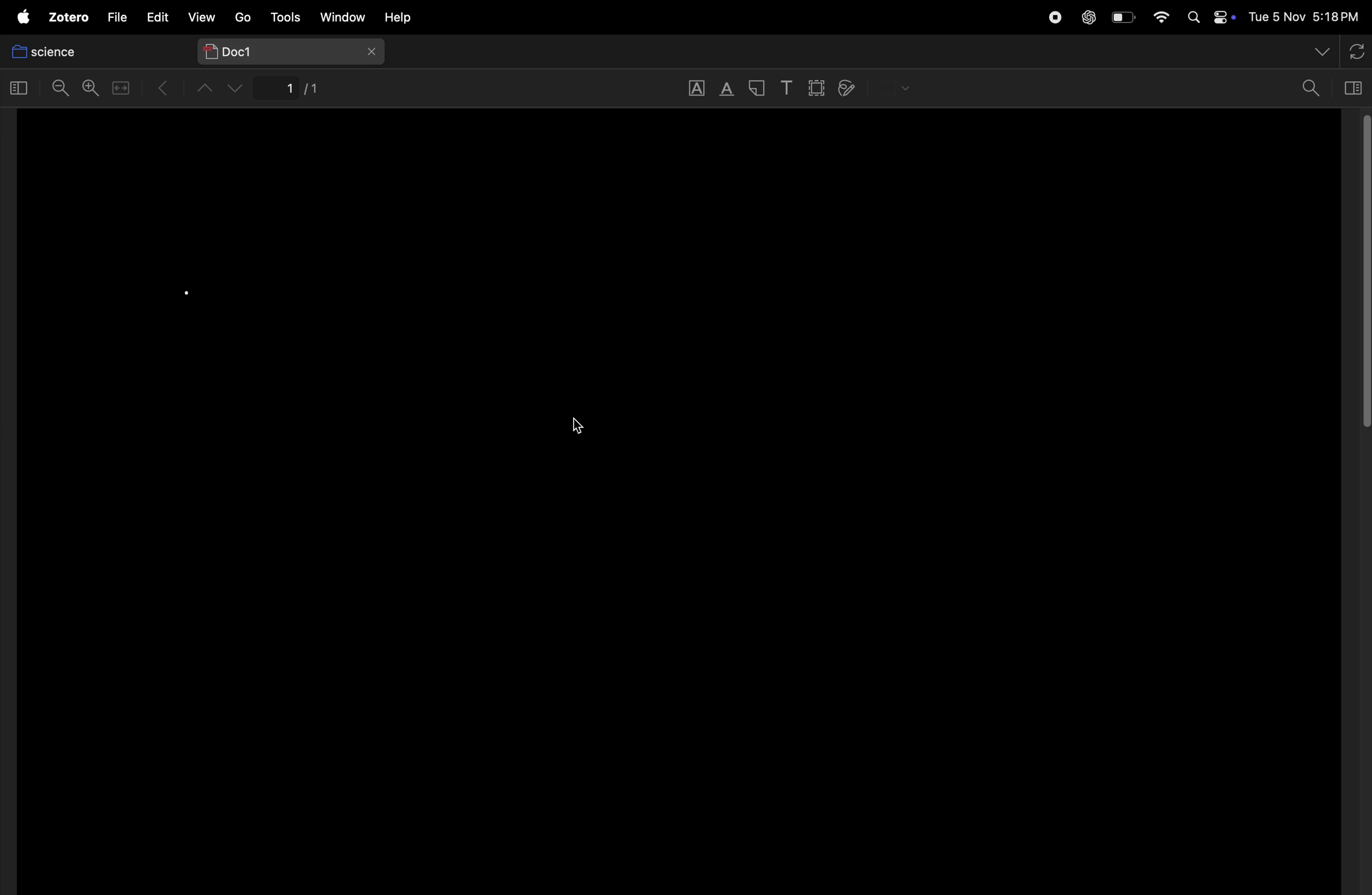 The image size is (1372, 895). I want to click on view, so click(203, 18).